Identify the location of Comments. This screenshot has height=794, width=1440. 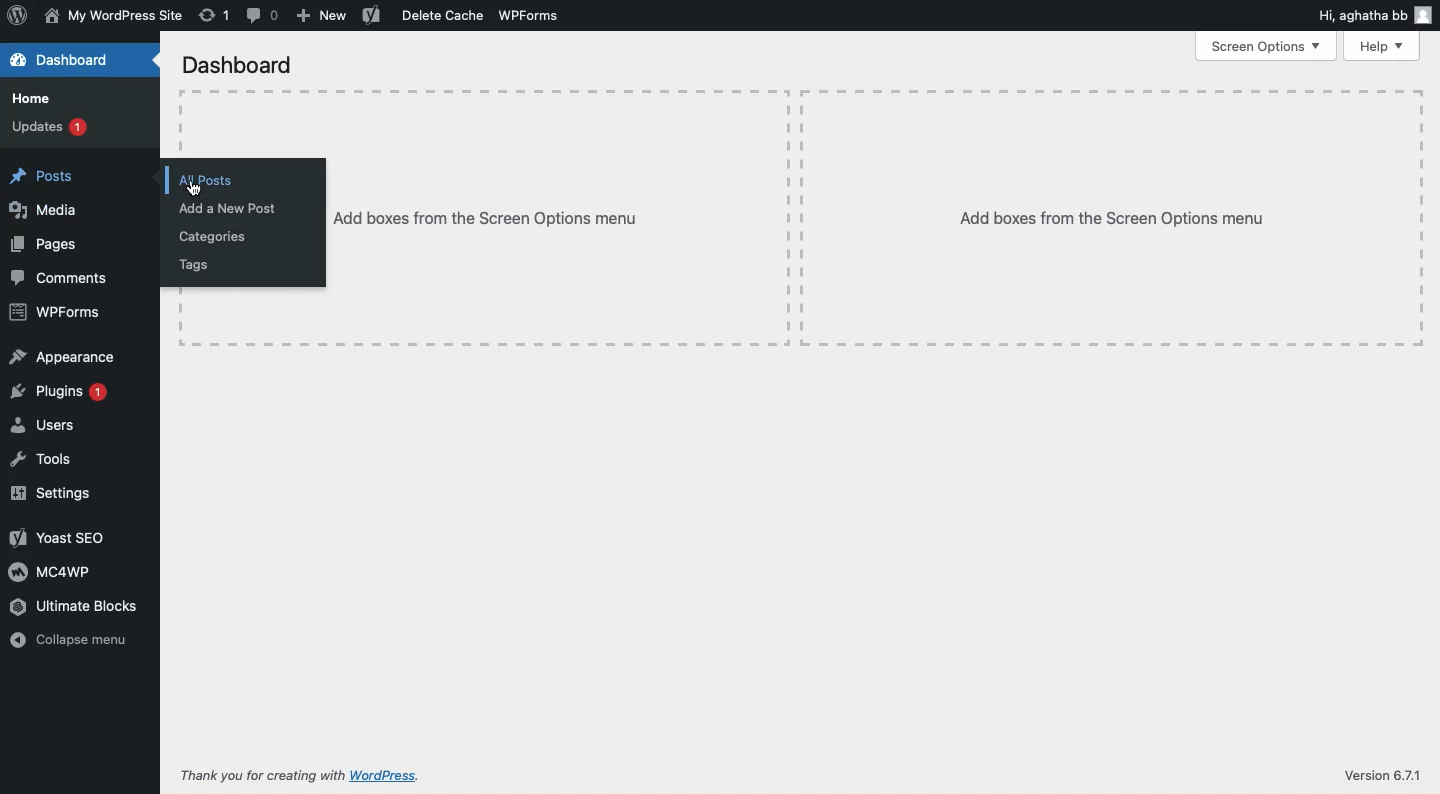
(61, 277).